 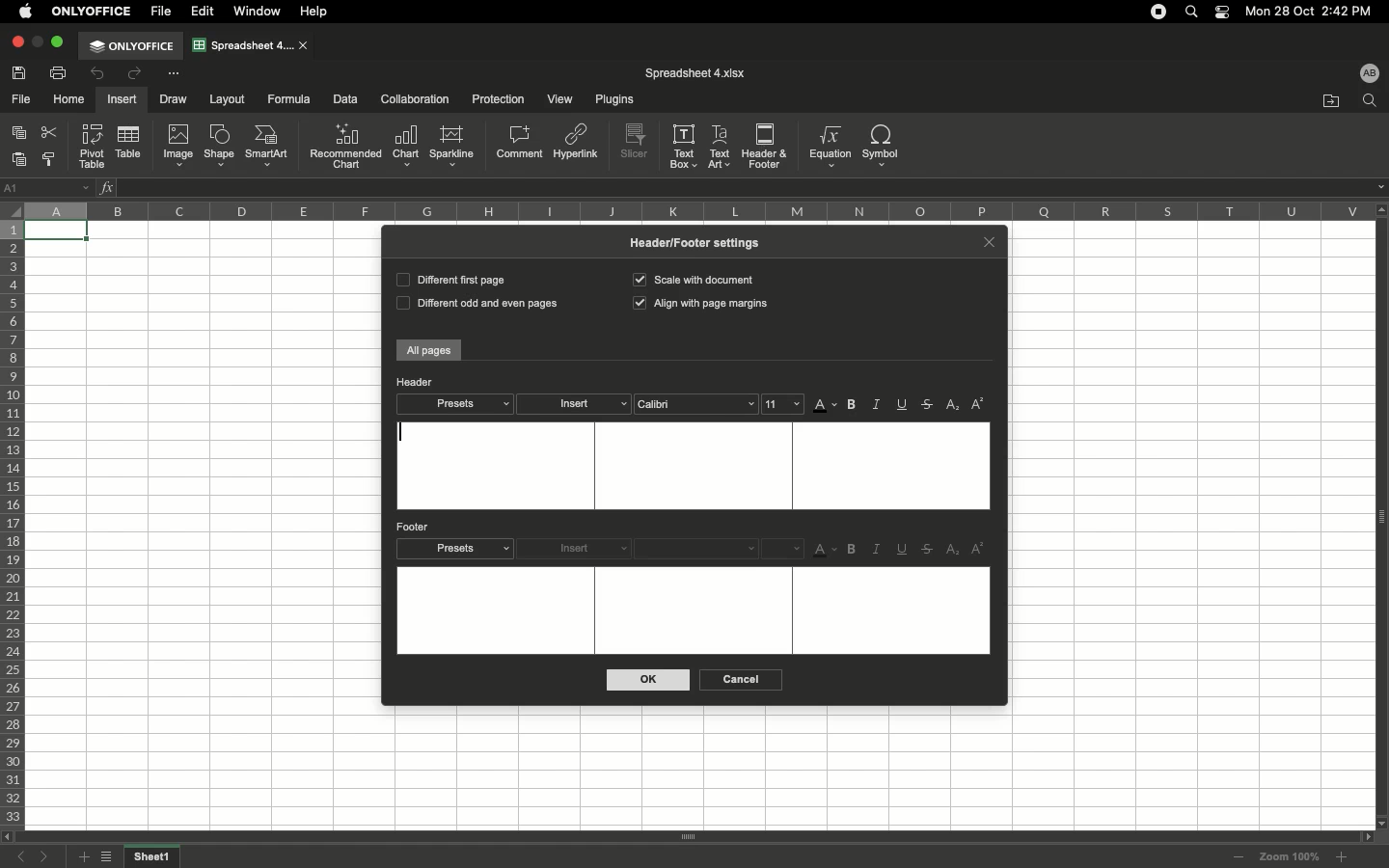 I want to click on Paste, so click(x=21, y=159).